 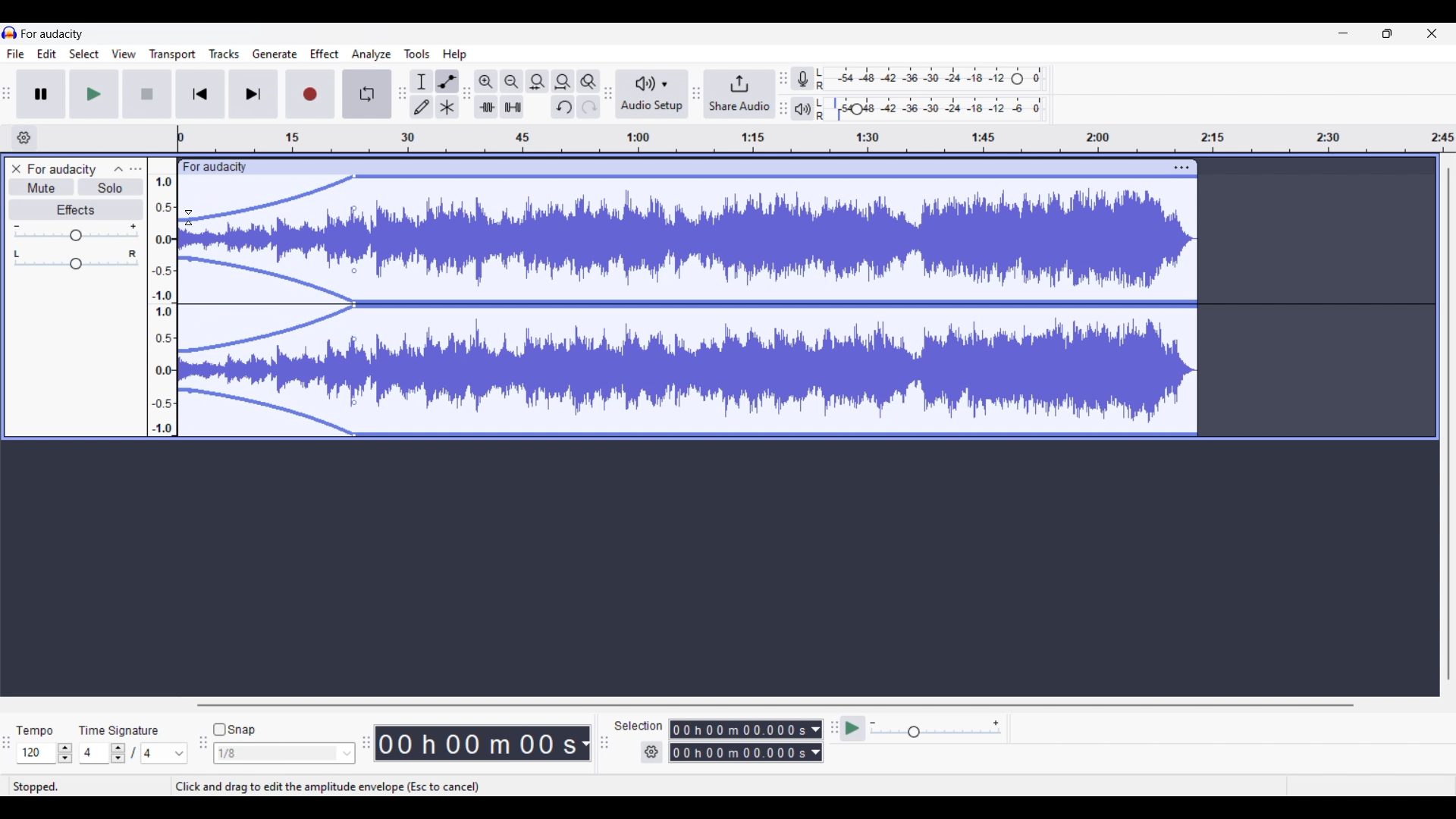 What do you see at coordinates (740, 93) in the screenshot?
I see `Share audio` at bounding box center [740, 93].